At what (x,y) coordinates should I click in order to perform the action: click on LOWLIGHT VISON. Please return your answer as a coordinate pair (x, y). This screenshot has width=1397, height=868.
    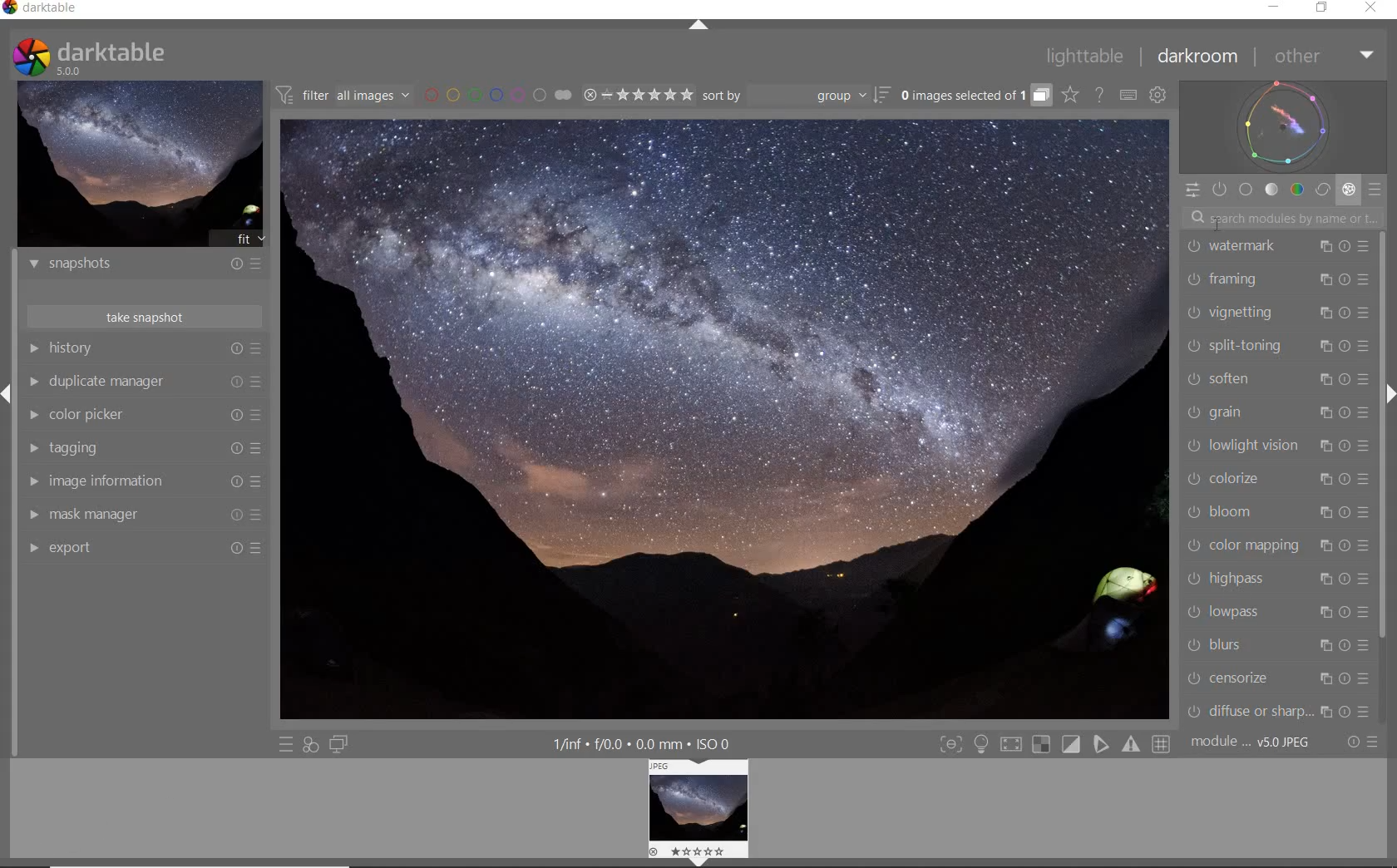
    Looking at the image, I should click on (1242, 445).